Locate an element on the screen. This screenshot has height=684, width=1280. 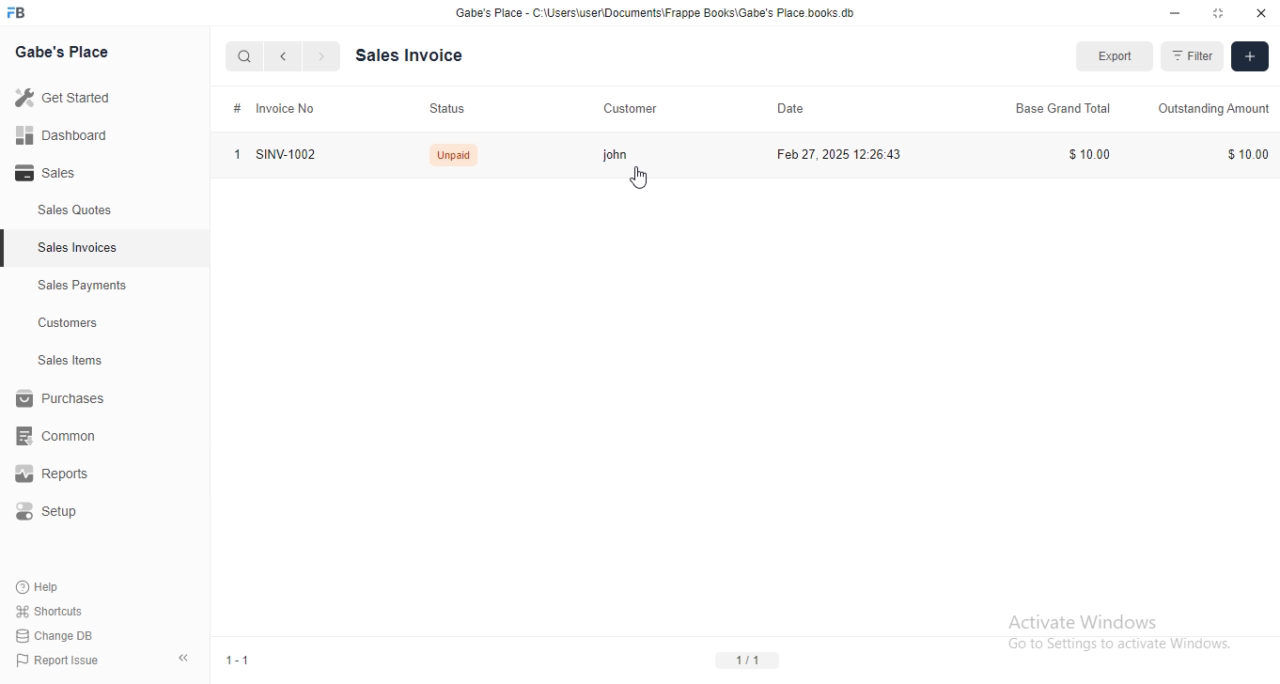
reports is located at coordinates (51, 474).